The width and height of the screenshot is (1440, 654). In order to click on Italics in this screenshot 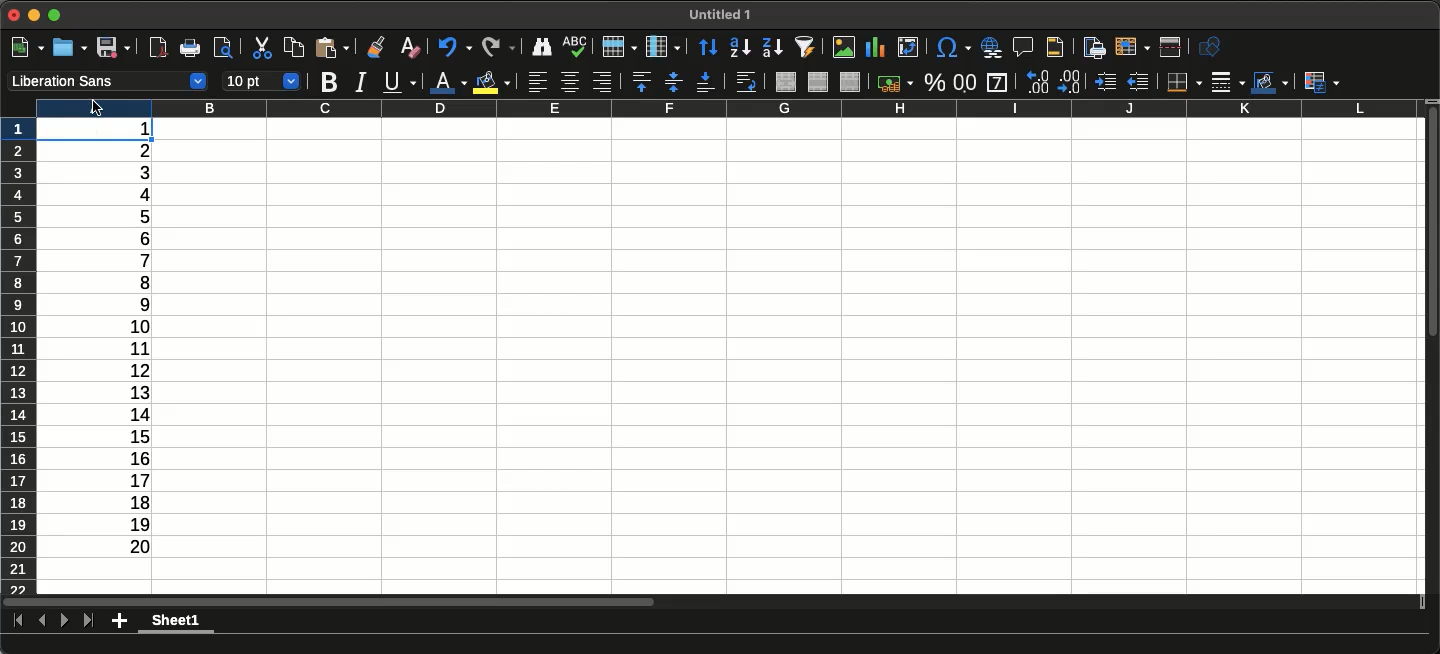, I will do `click(359, 83)`.